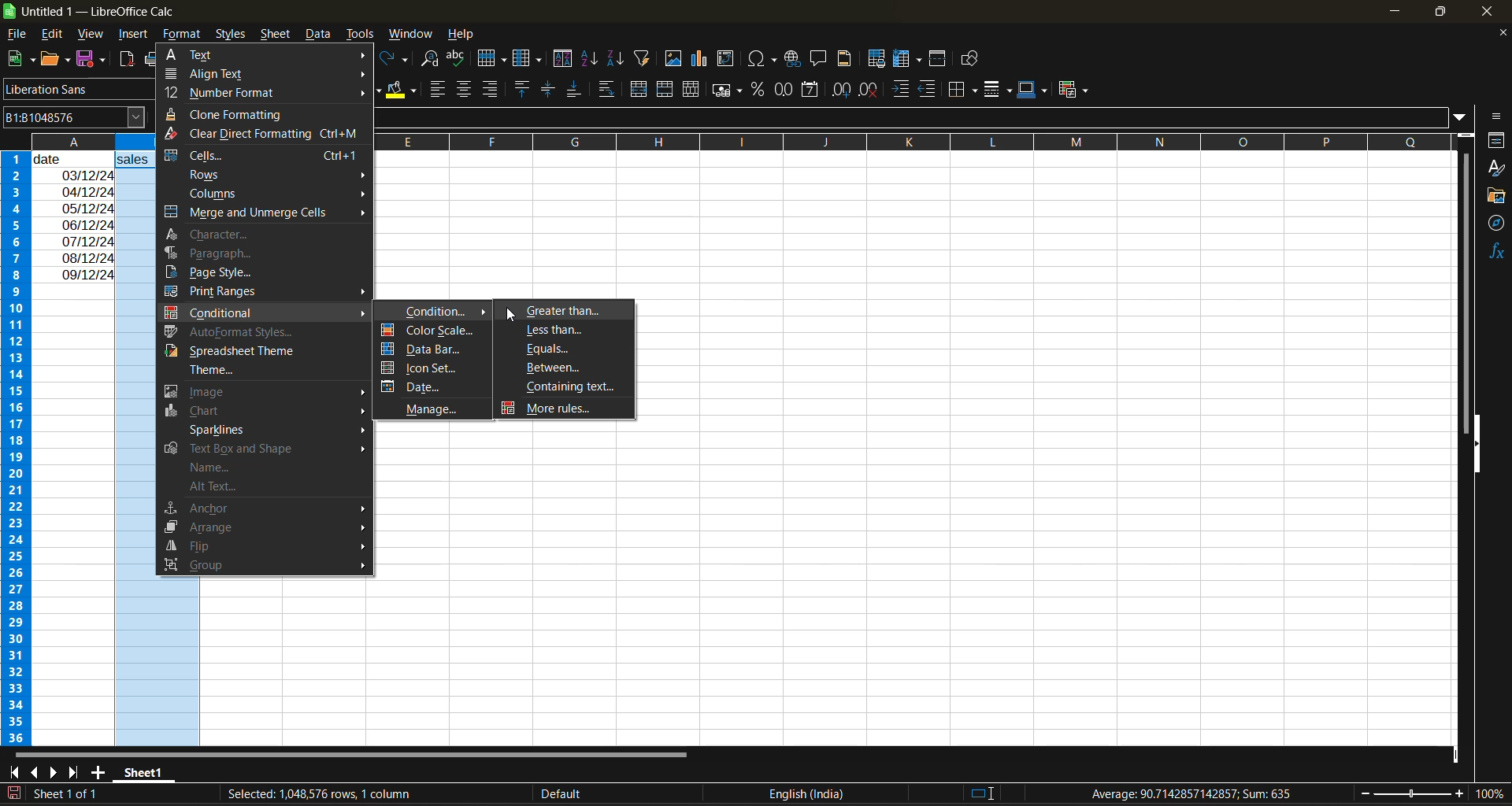 The width and height of the screenshot is (1512, 806). I want to click on align center, so click(464, 91).